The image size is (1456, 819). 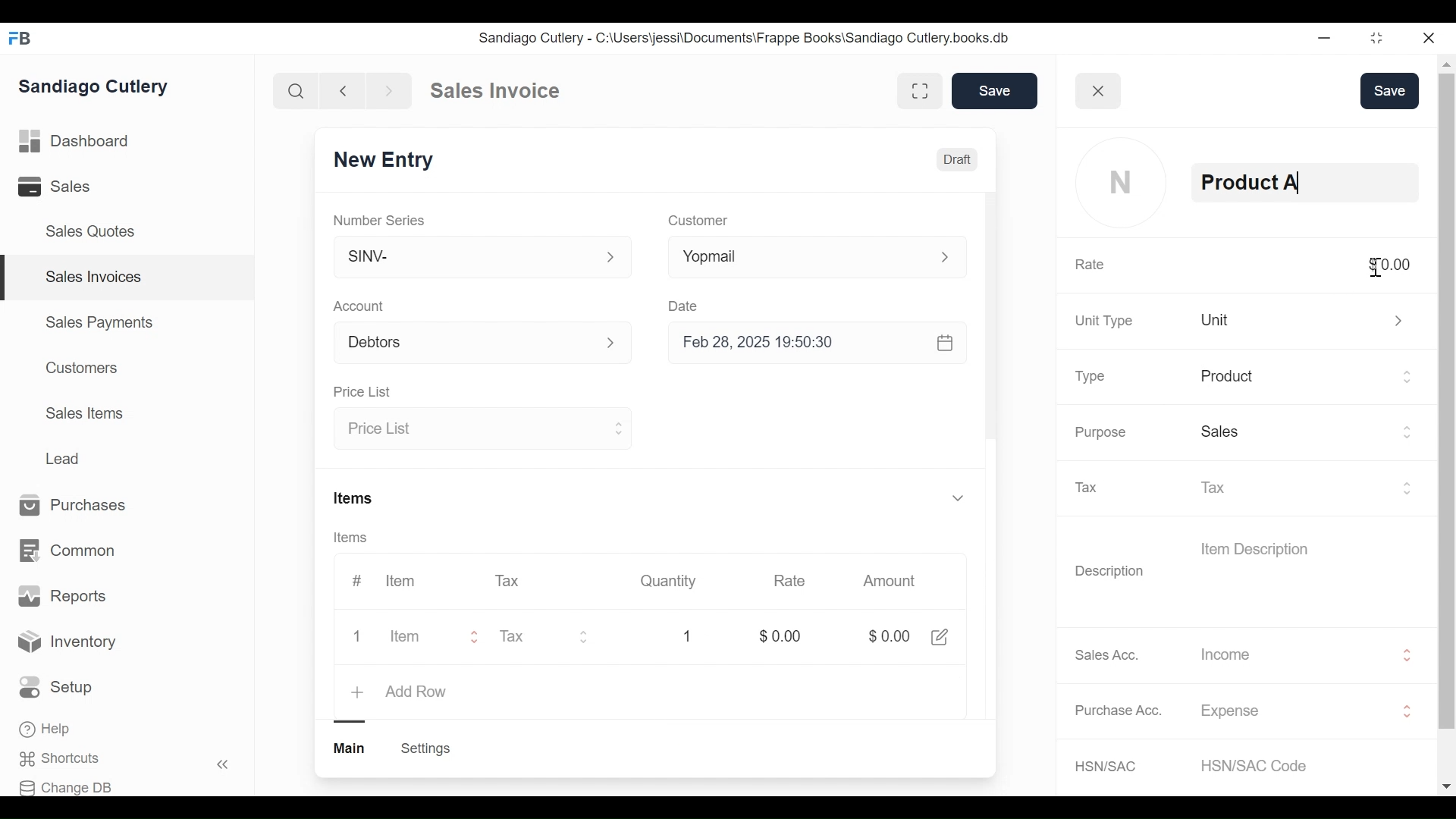 What do you see at coordinates (390, 89) in the screenshot?
I see `forward` at bounding box center [390, 89].